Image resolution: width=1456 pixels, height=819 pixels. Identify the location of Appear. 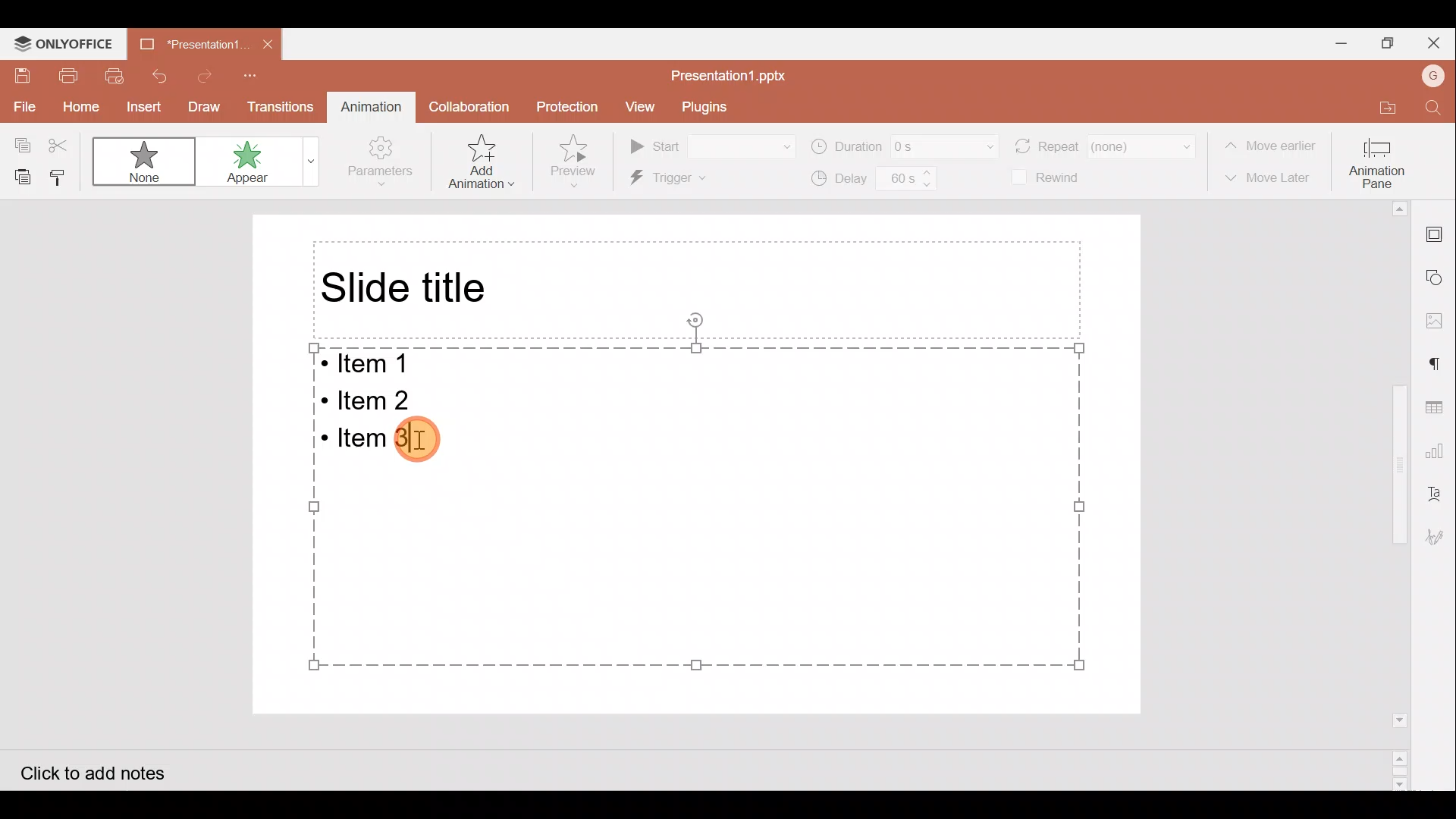
(261, 165).